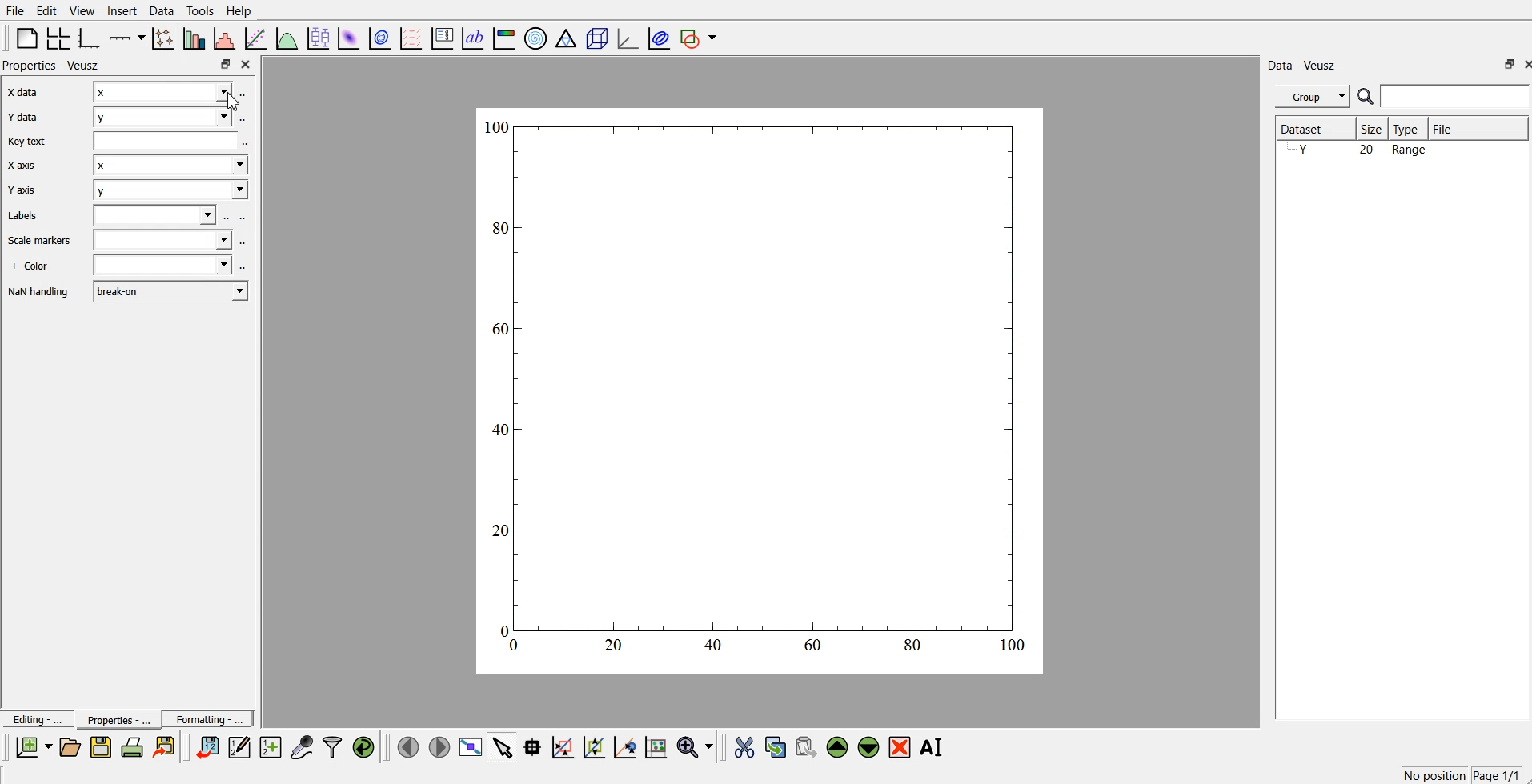 The height and width of the screenshot is (784, 1532). What do you see at coordinates (1410, 129) in the screenshot?
I see `Type` at bounding box center [1410, 129].